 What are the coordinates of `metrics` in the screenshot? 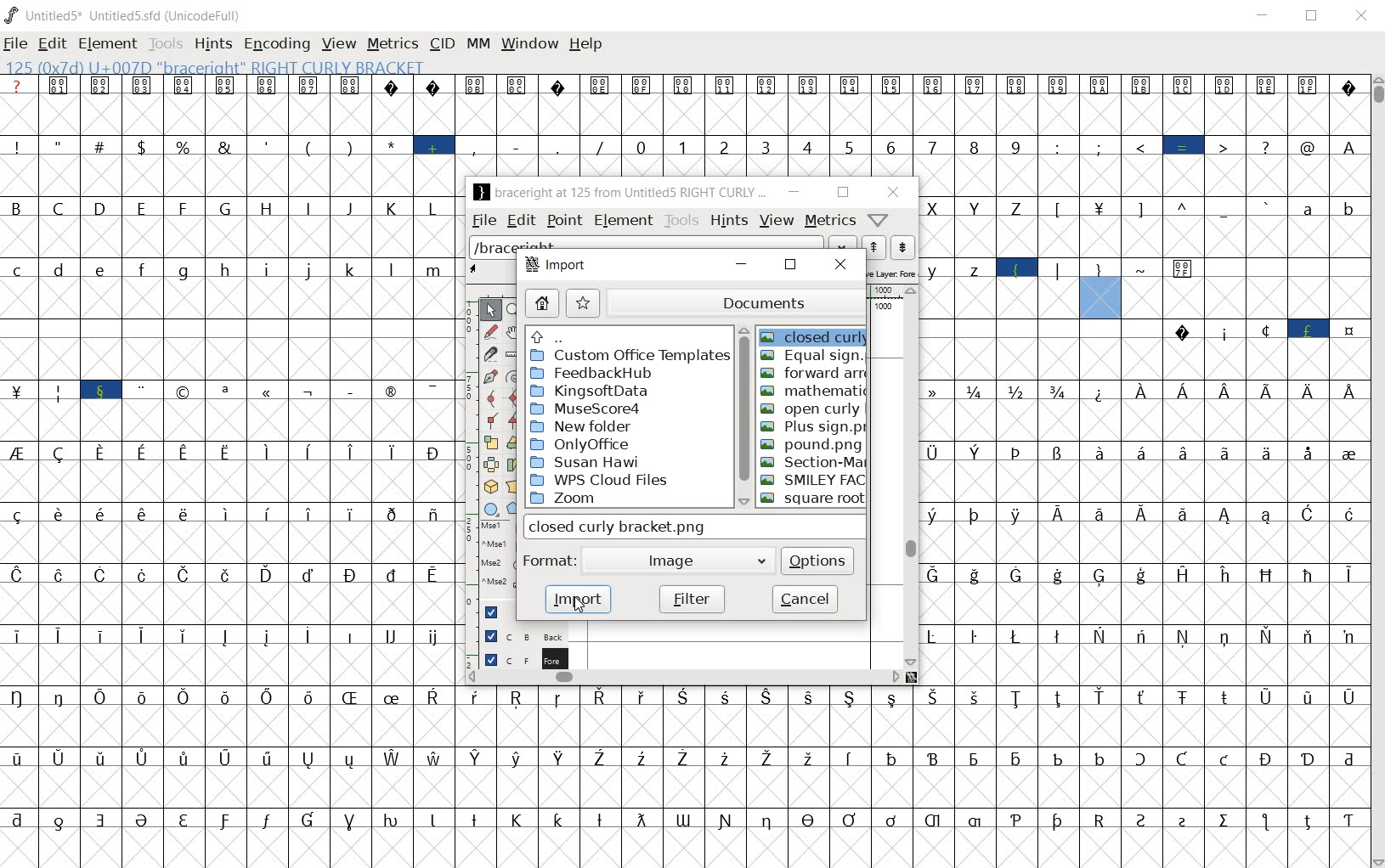 It's located at (829, 222).